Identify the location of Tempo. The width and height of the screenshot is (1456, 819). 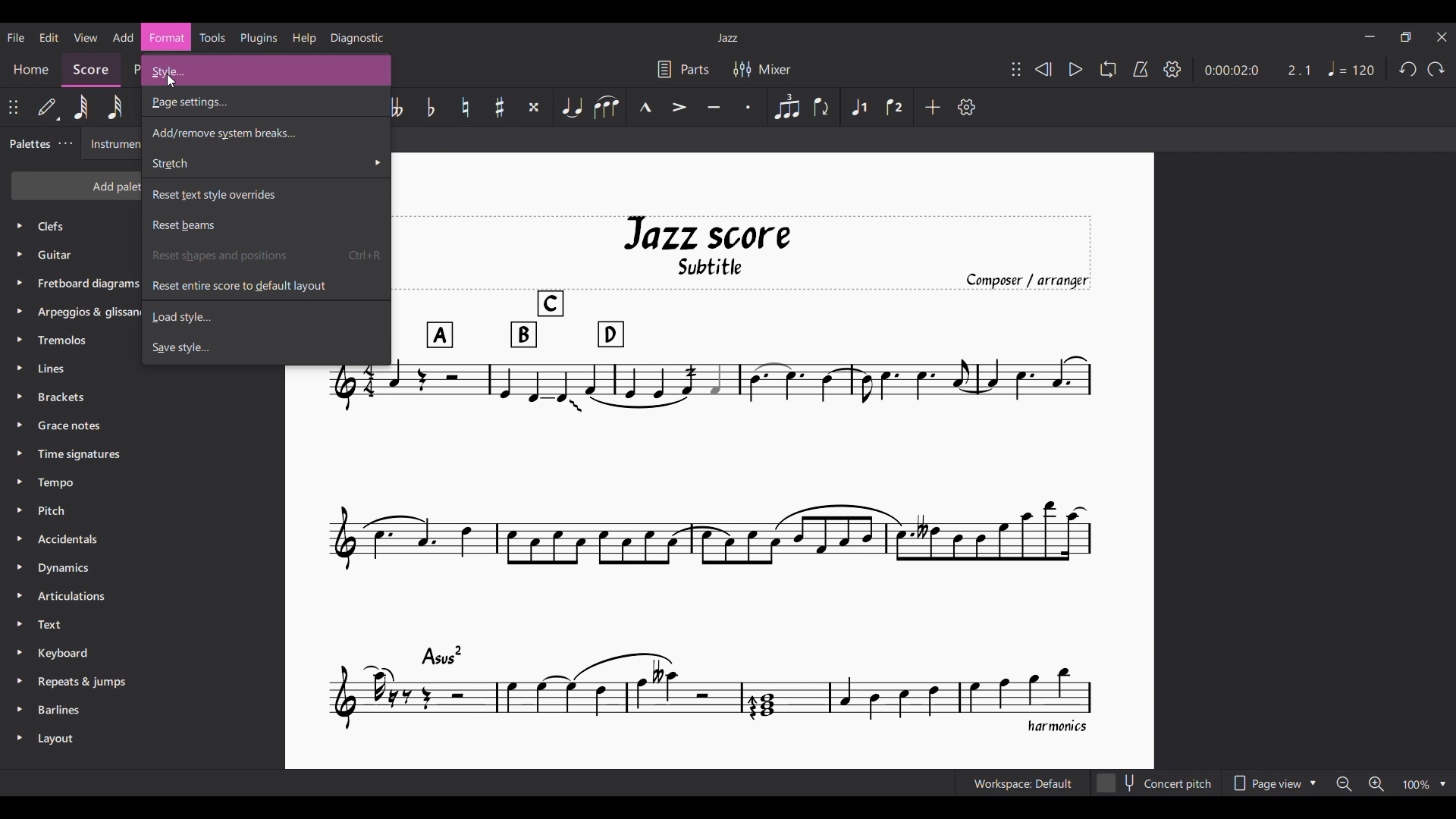
(1351, 68).